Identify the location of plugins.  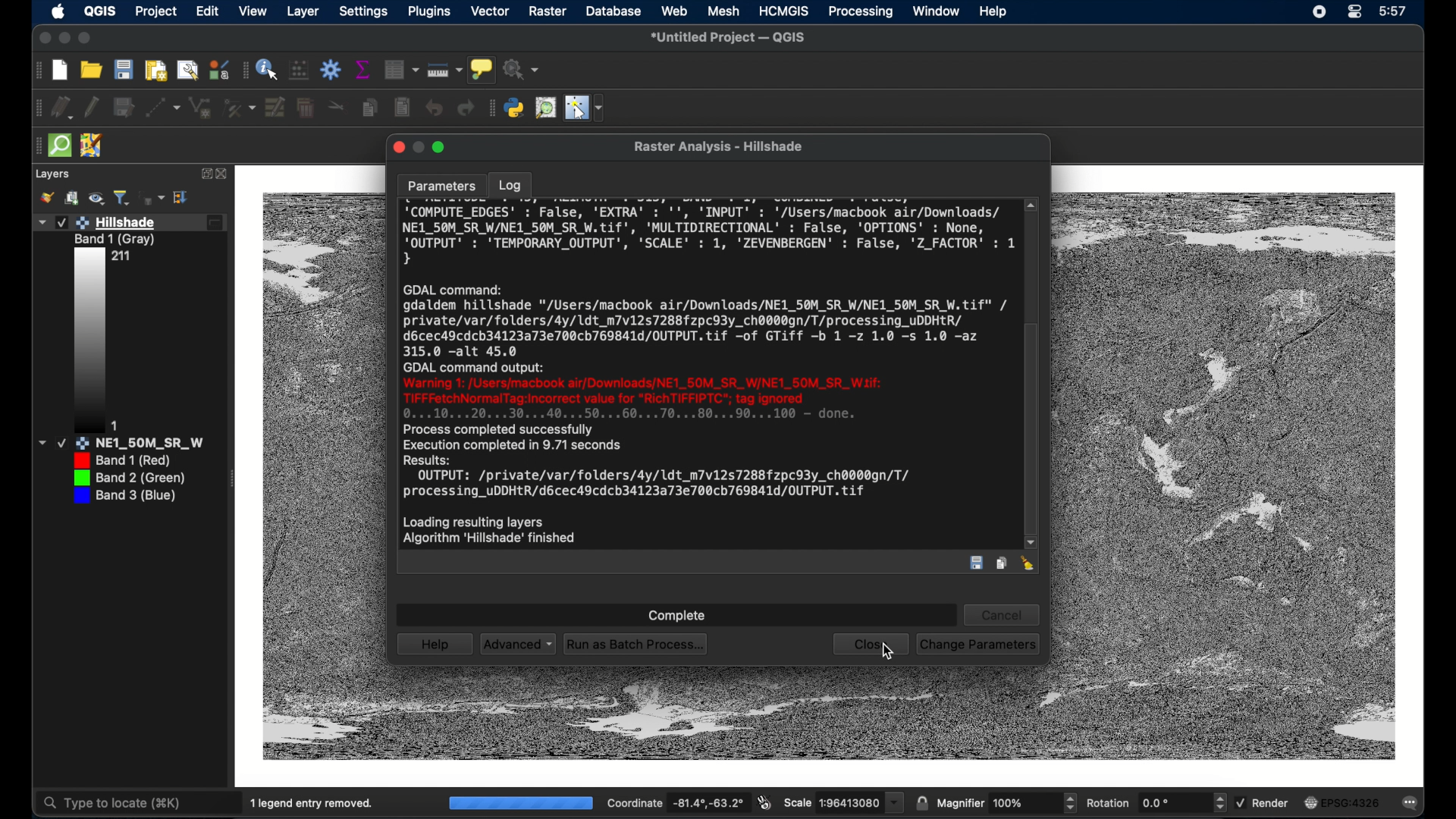
(428, 12).